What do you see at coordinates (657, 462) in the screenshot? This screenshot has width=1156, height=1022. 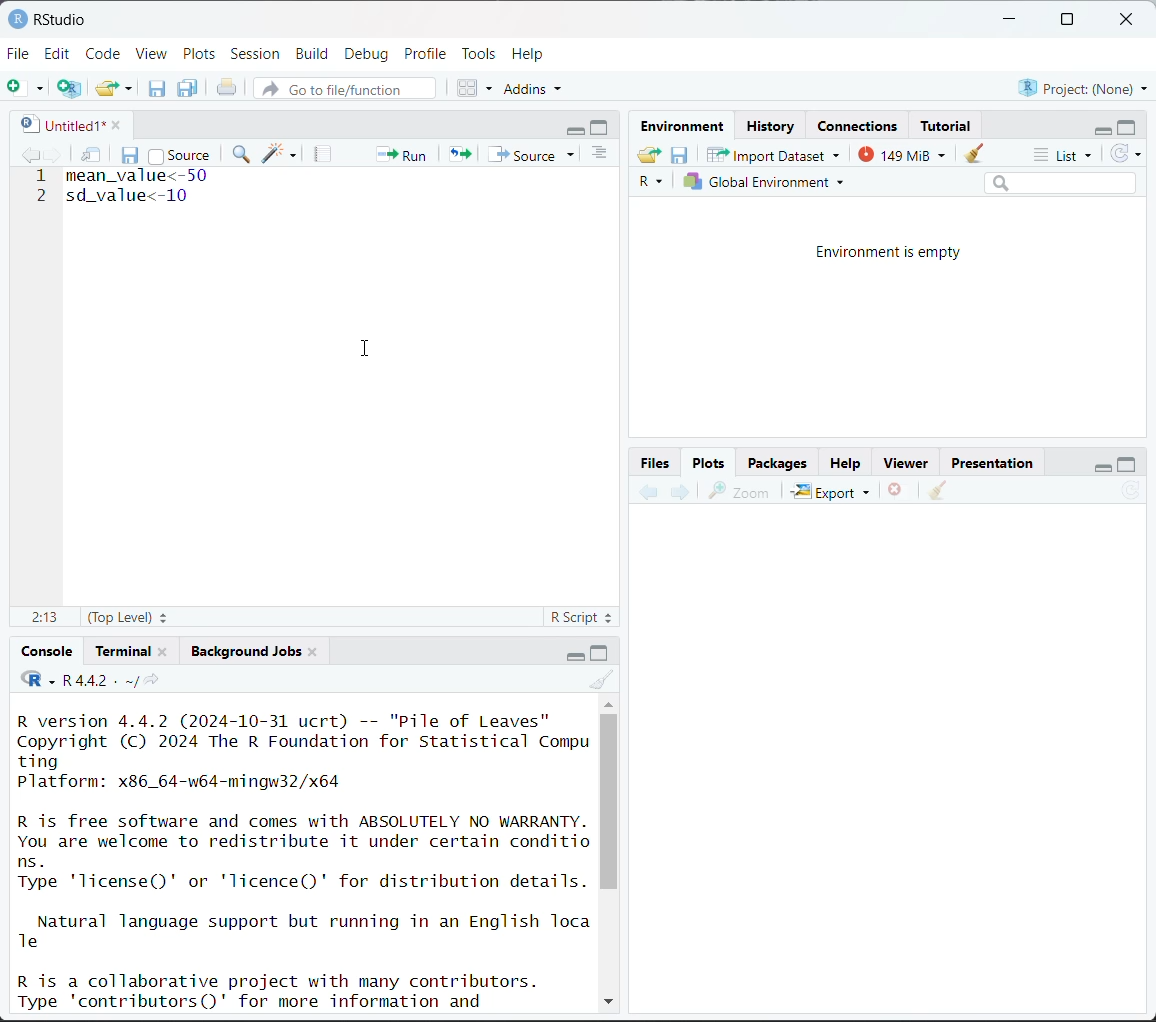 I see `` at bounding box center [657, 462].